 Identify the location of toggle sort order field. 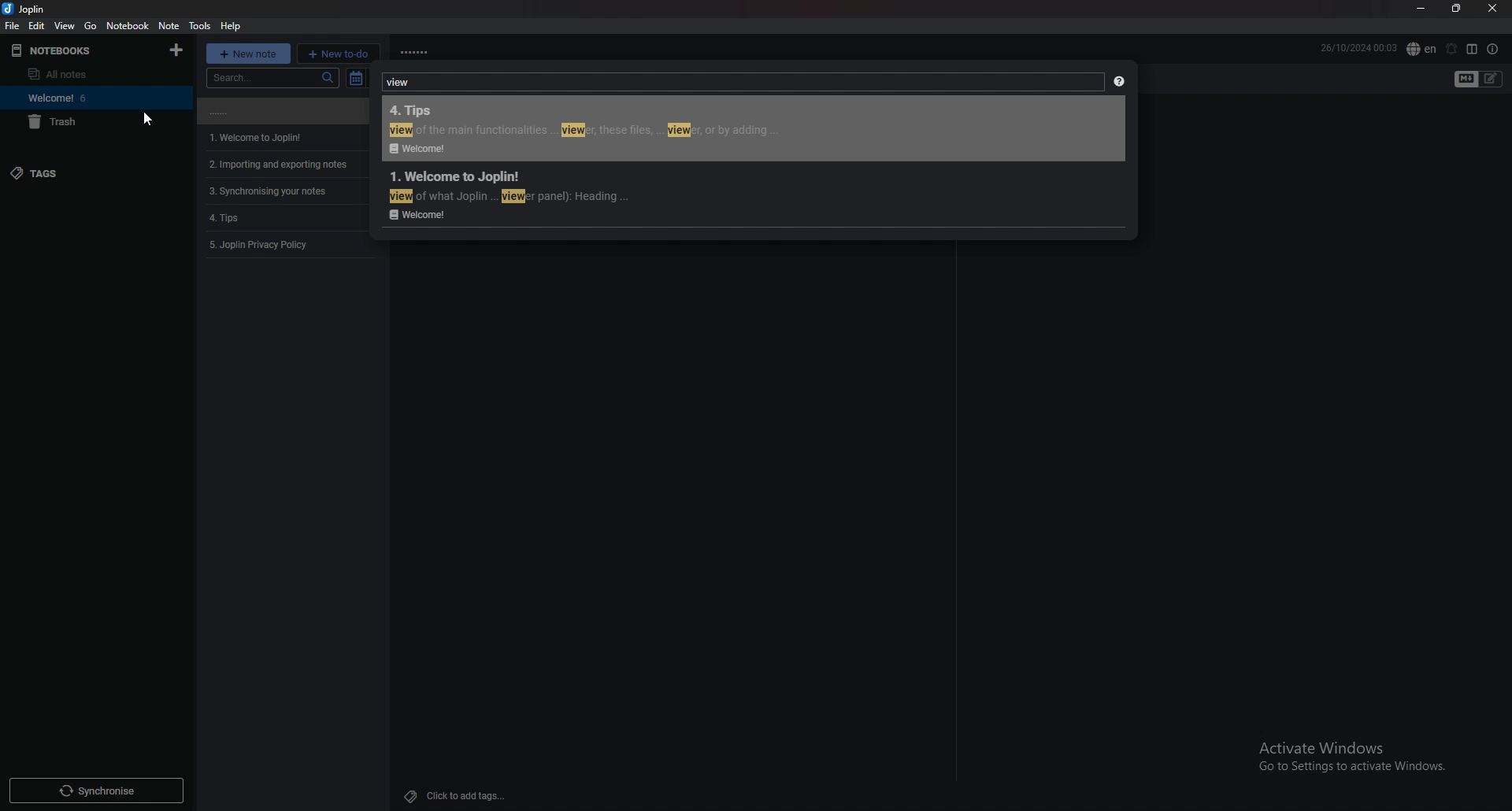
(355, 78).